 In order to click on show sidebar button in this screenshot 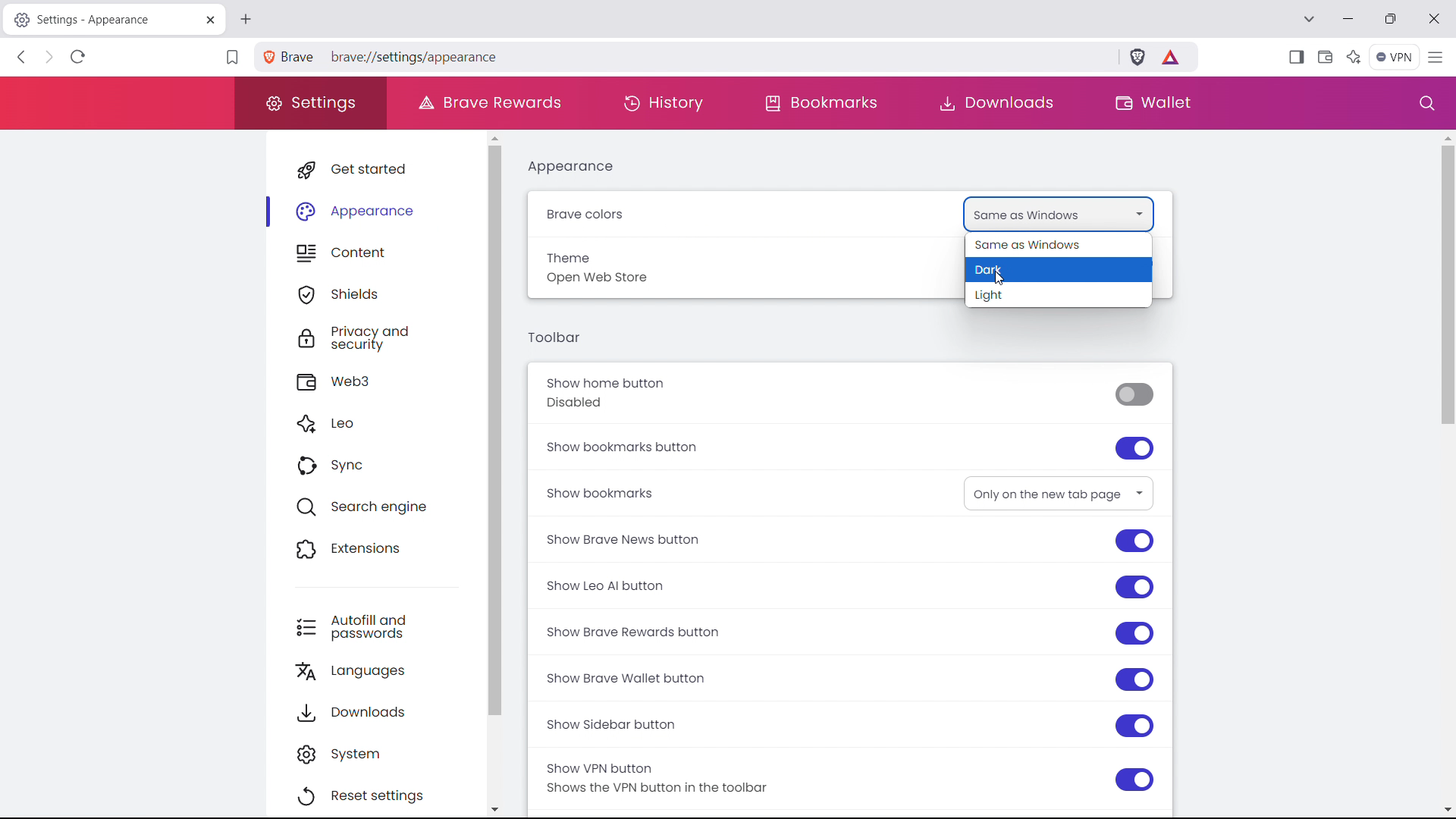, I will do `click(849, 720)`.